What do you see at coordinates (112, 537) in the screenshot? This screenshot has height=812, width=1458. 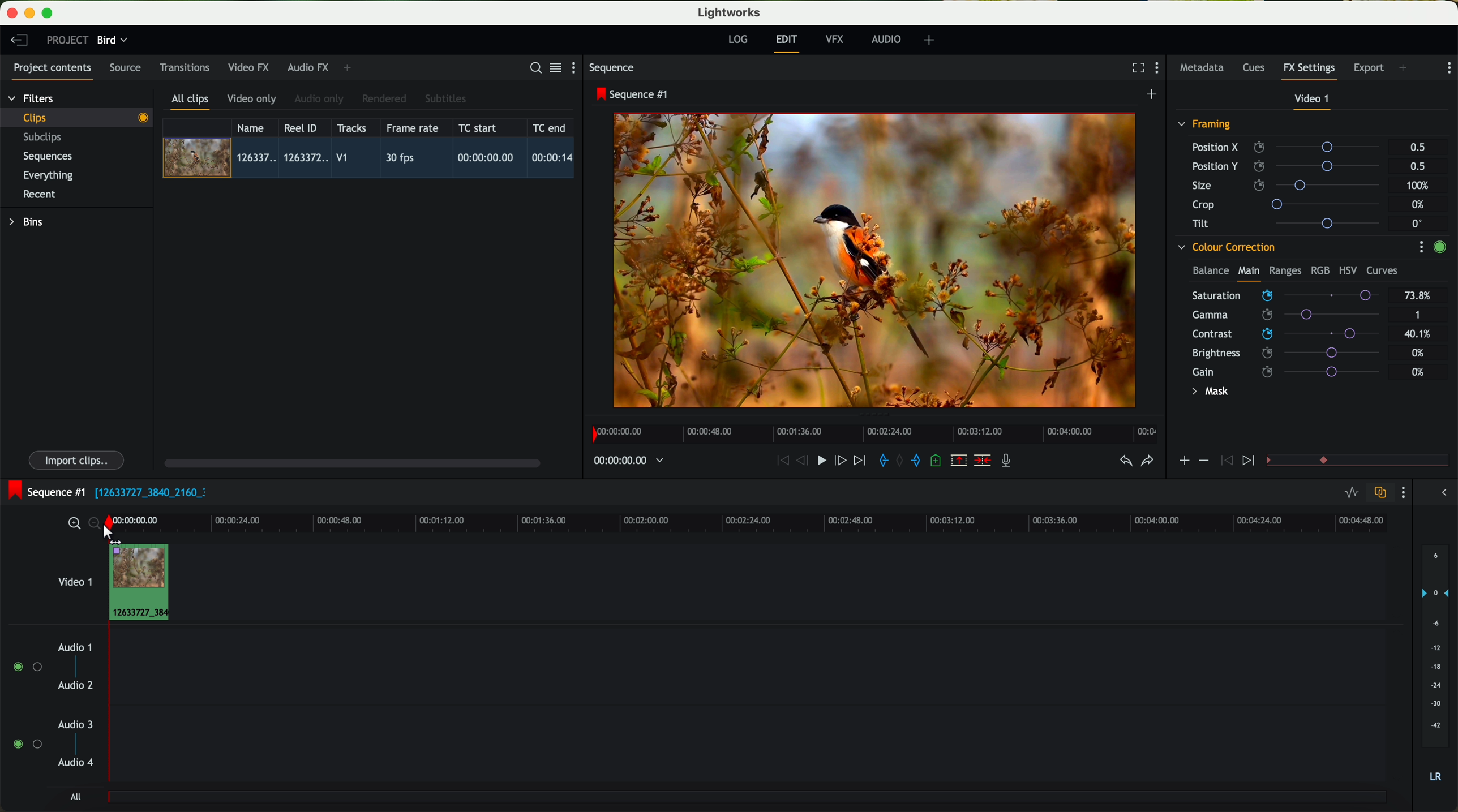 I see `drag to` at bounding box center [112, 537].